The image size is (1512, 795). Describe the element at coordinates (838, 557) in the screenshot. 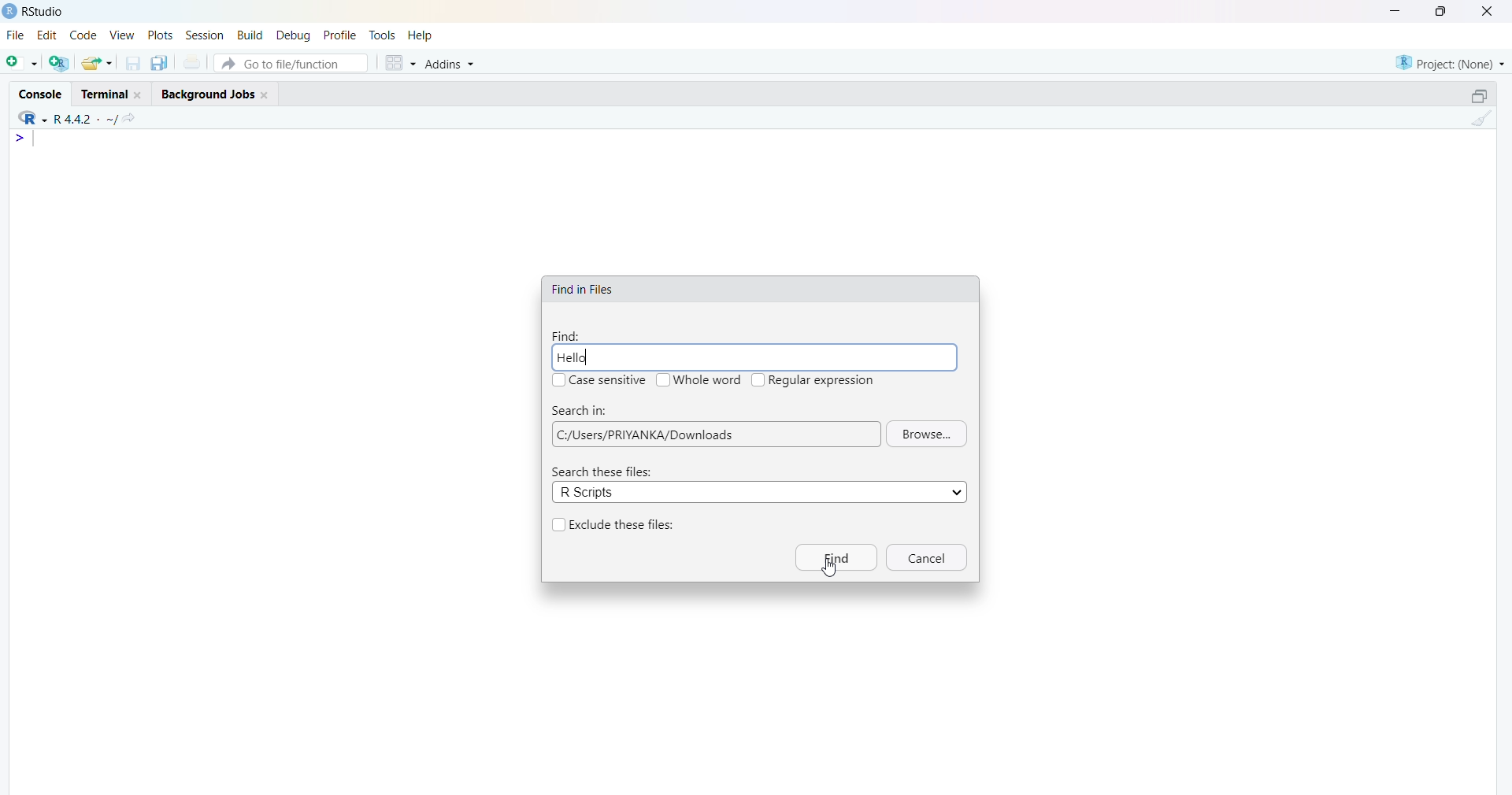

I see `Find` at that location.